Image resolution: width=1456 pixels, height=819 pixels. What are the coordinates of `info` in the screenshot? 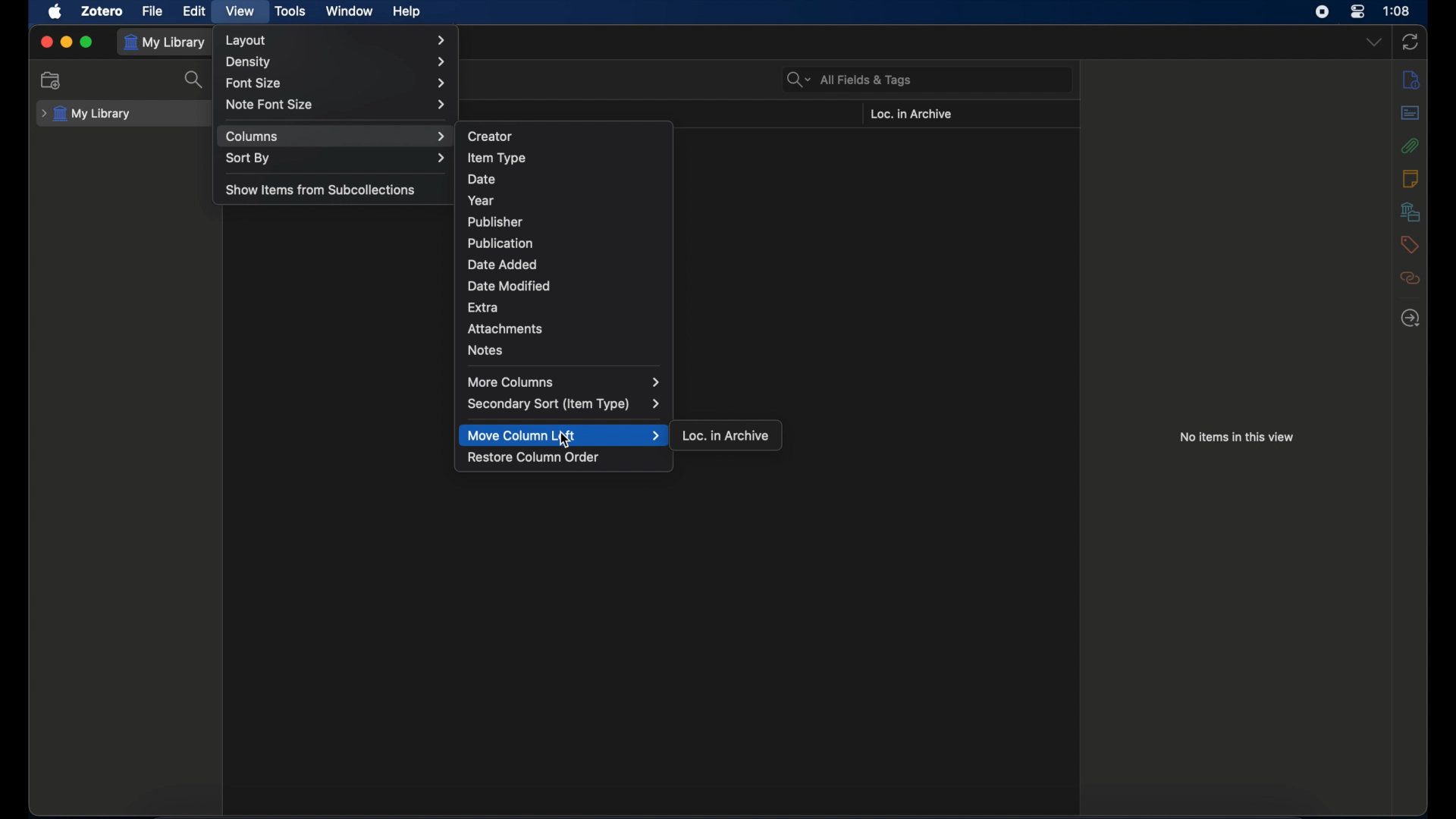 It's located at (1411, 80).